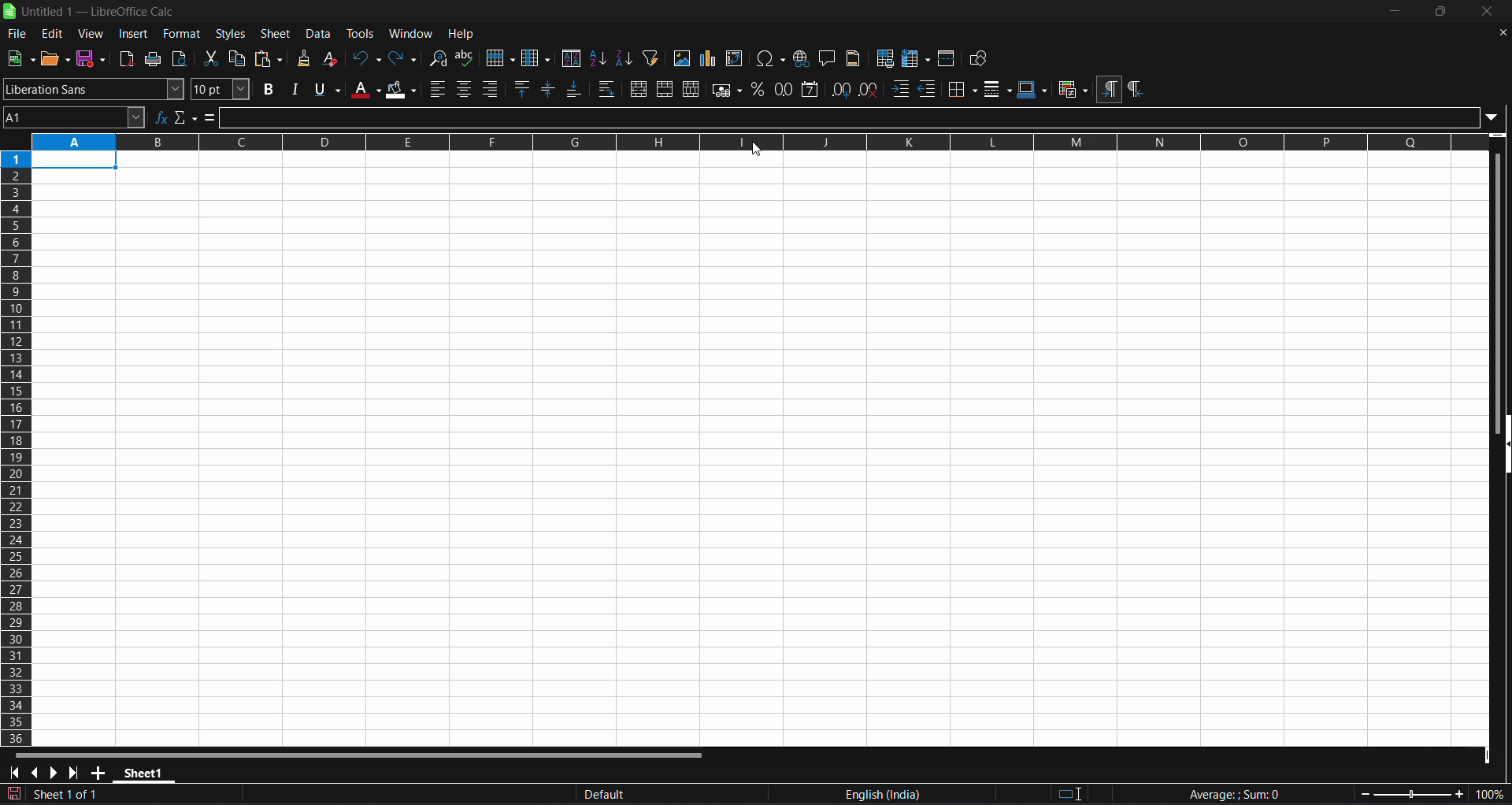 The width and height of the screenshot is (1512, 805). Describe the element at coordinates (93, 89) in the screenshot. I see `font name` at that location.